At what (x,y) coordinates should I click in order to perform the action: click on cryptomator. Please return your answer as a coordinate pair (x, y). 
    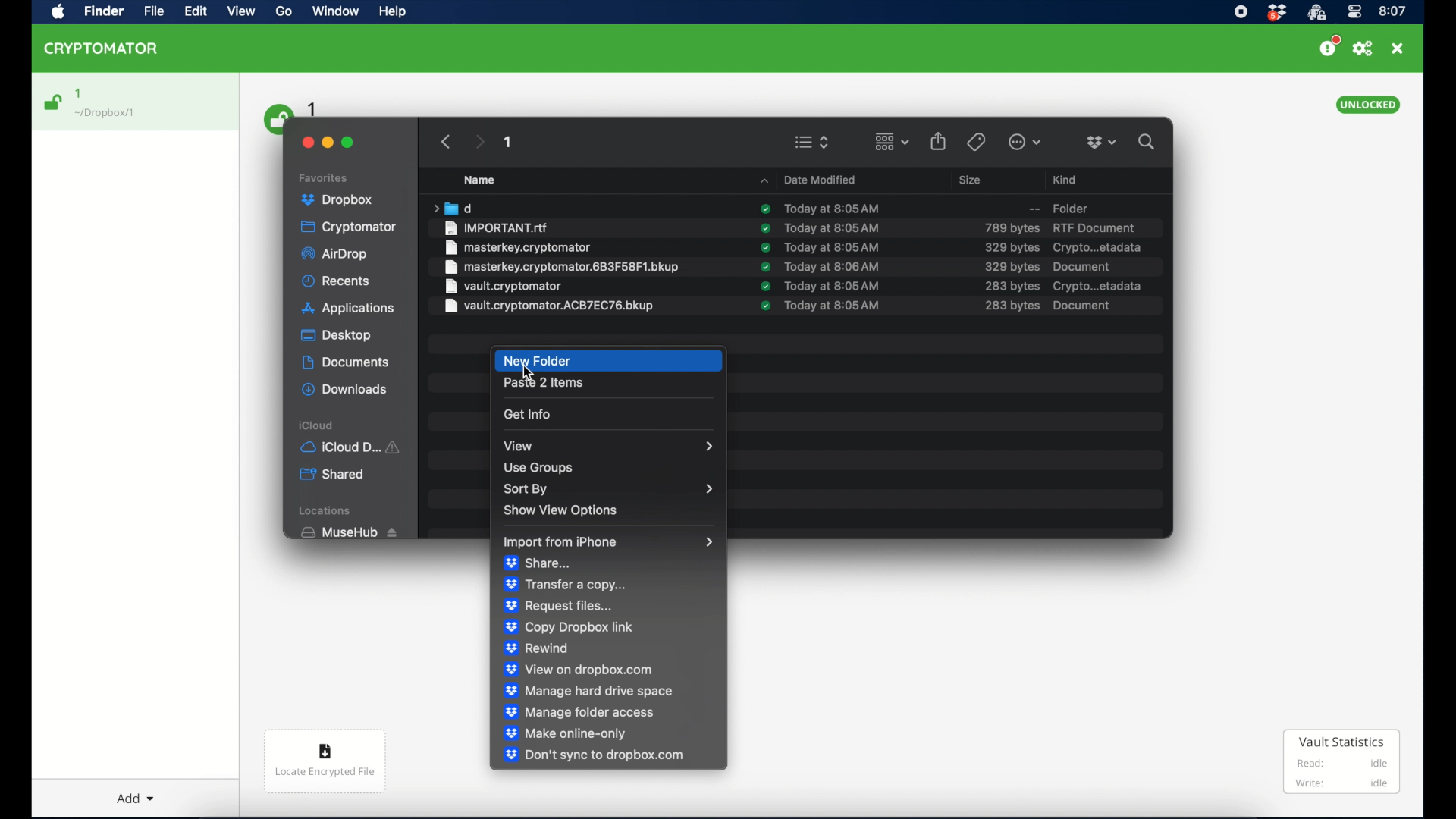
    Looking at the image, I should click on (350, 227).